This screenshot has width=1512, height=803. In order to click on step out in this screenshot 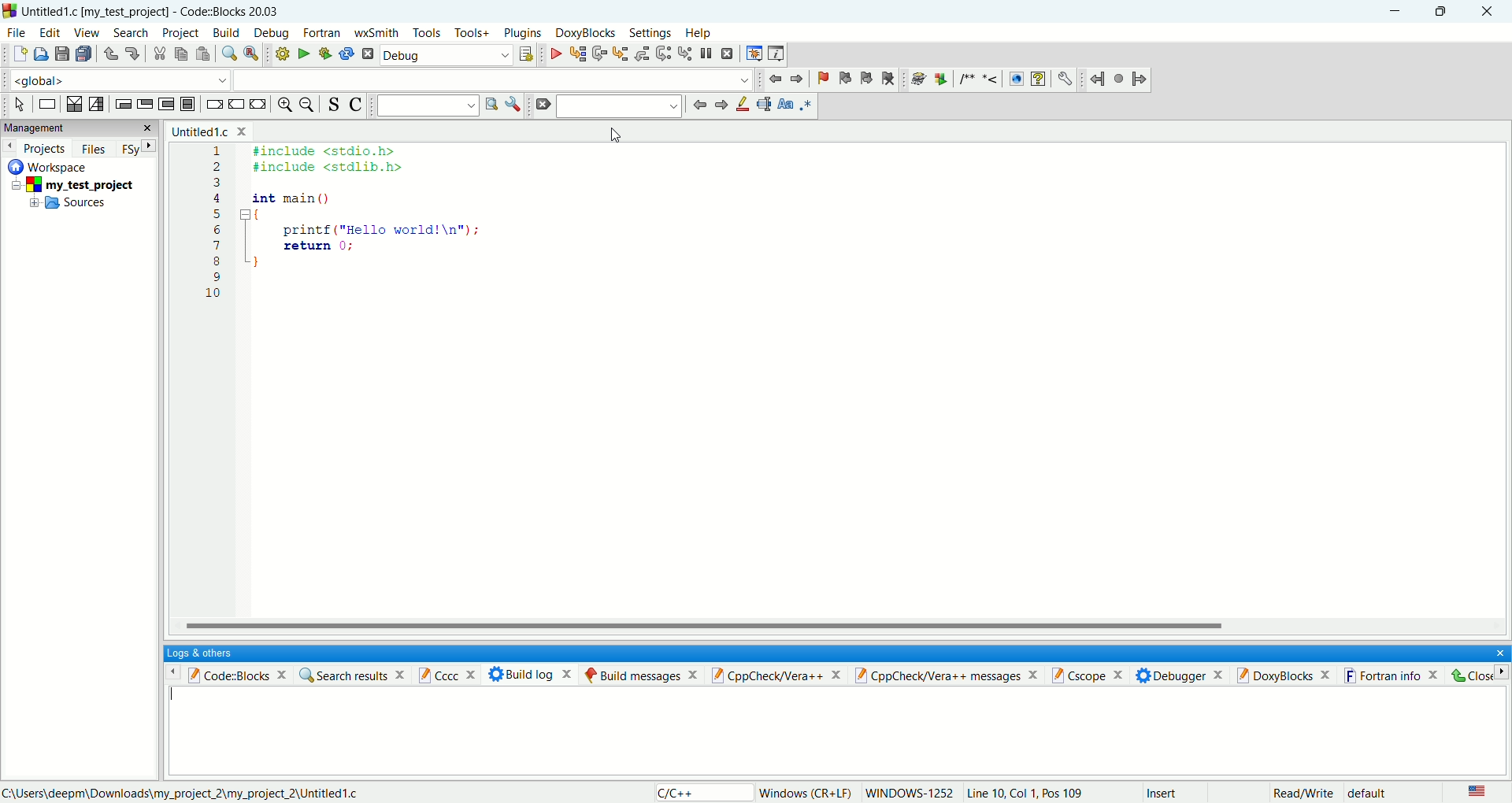, I will do `click(642, 54)`.